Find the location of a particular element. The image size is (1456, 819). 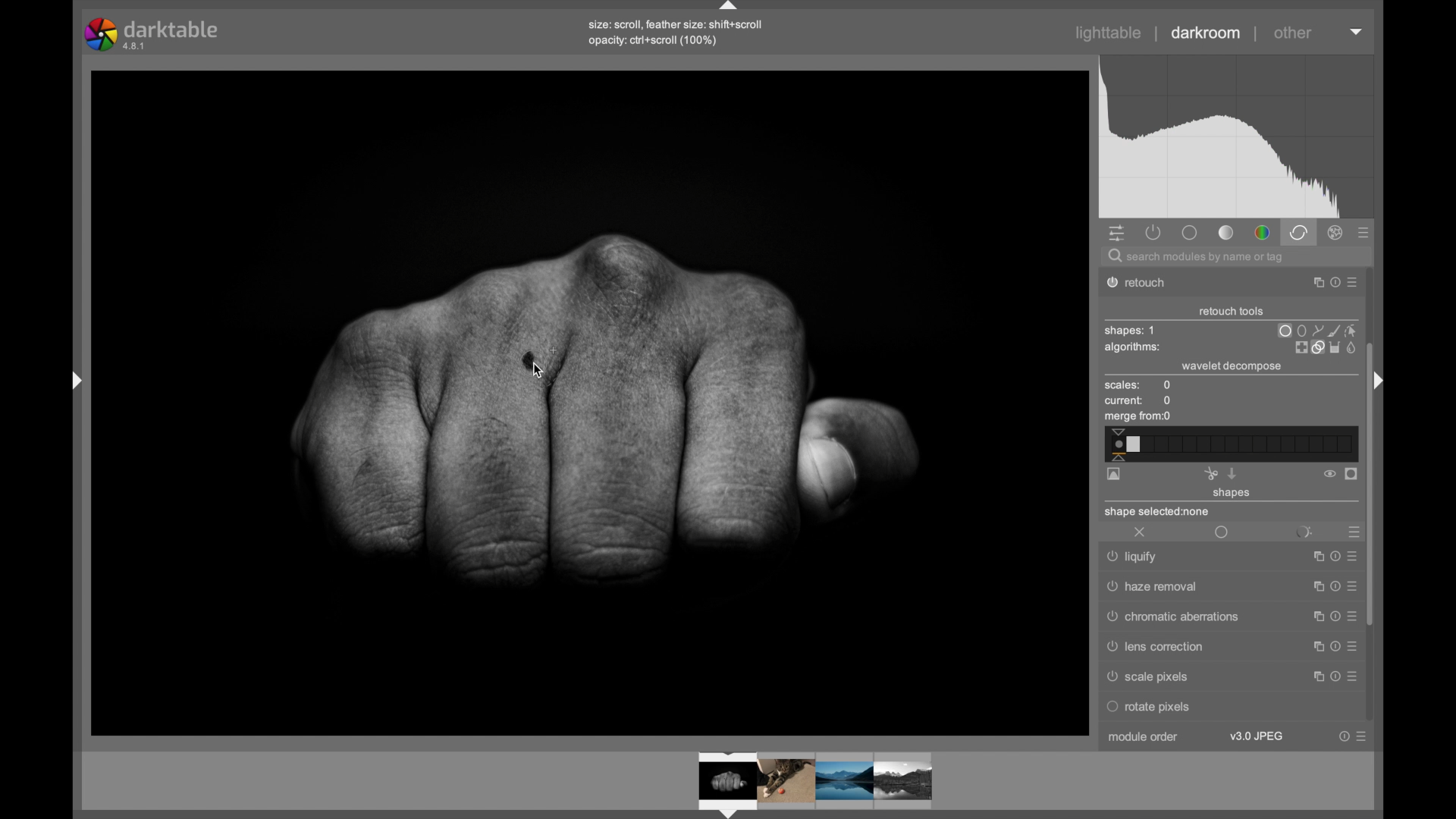

liquify is located at coordinates (1134, 558).